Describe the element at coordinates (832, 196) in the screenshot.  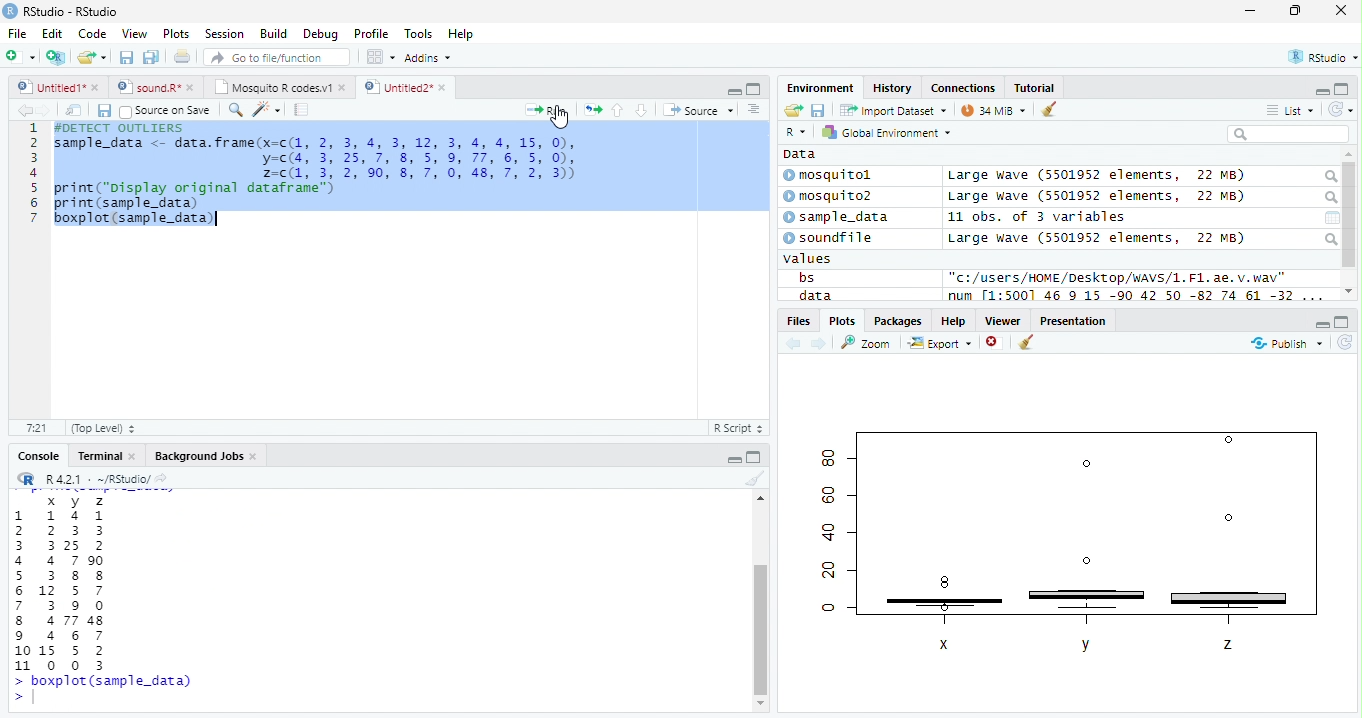
I see `mosquito2` at that location.